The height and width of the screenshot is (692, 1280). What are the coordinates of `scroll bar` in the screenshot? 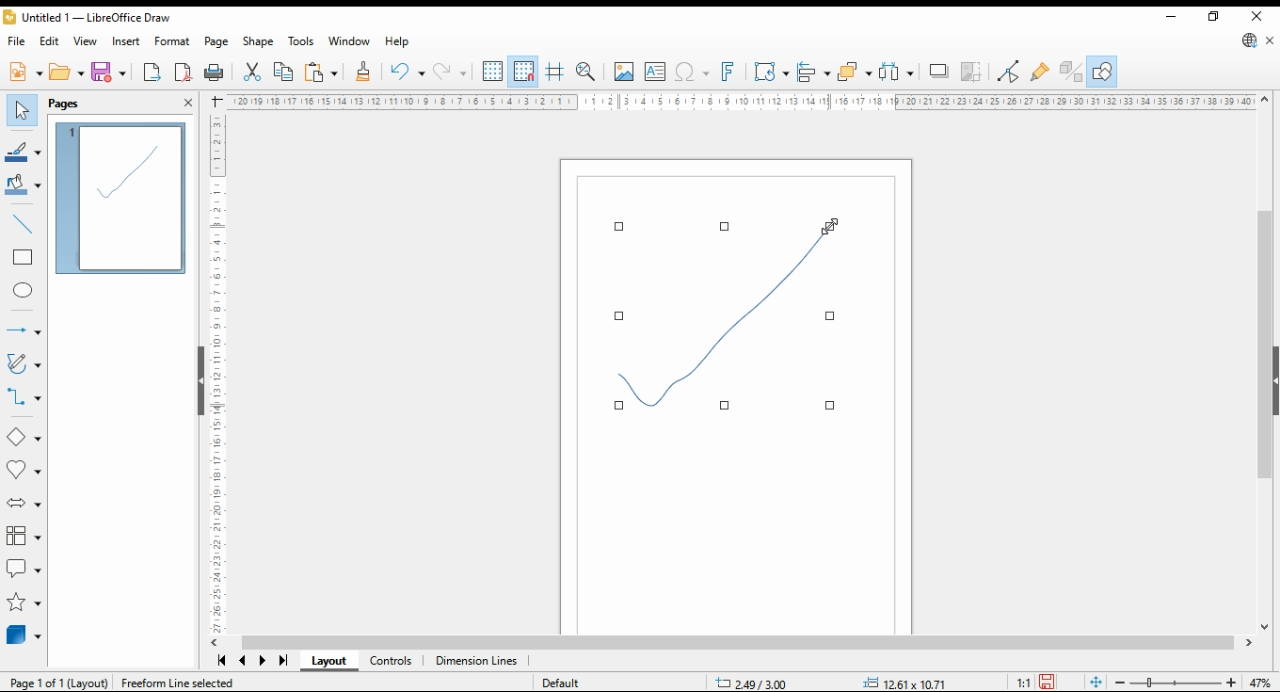 It's located at (1263, 366).